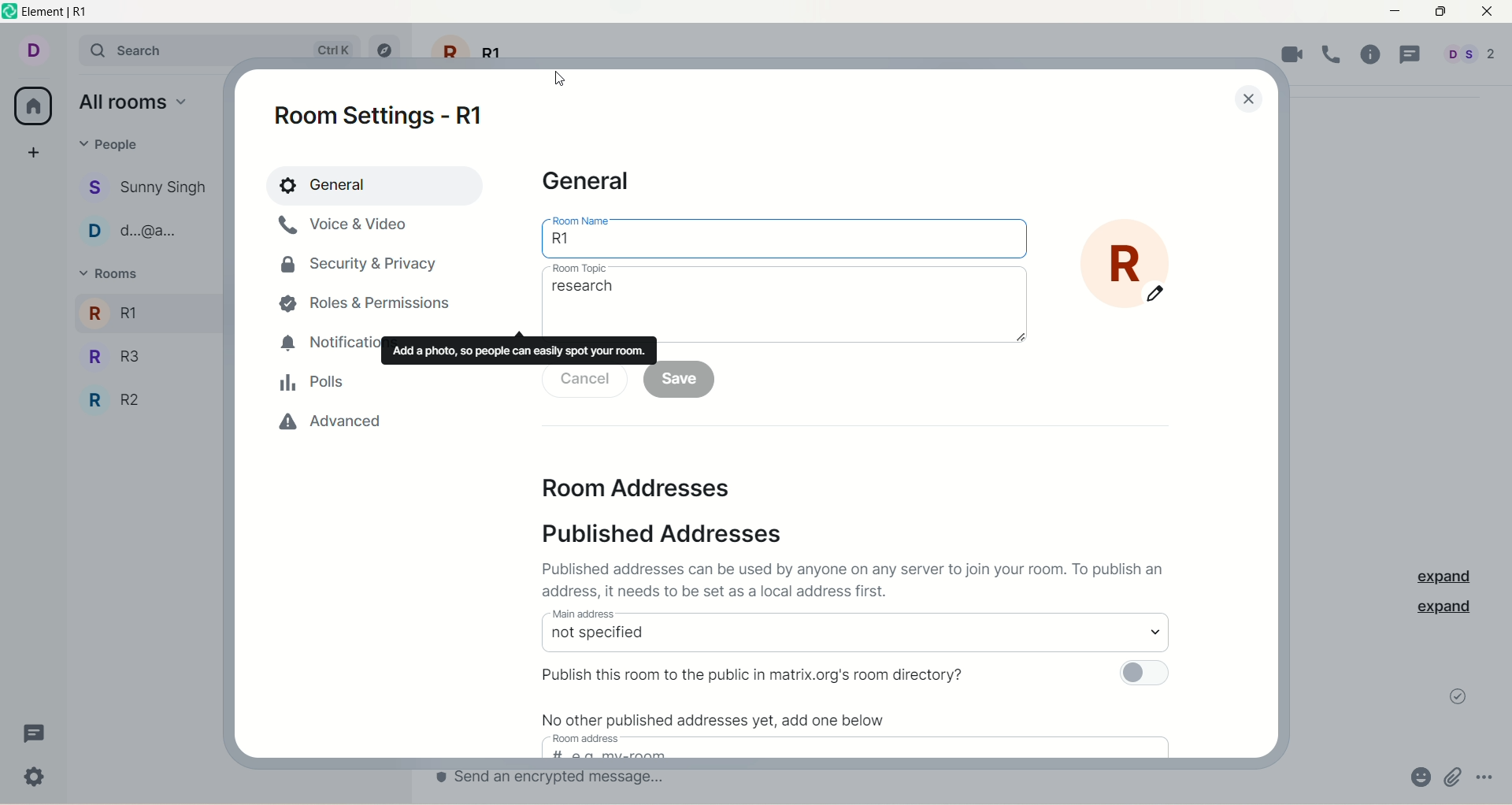 This screenshot has height=805, width=1512. What do you see at coordinates (589, 184) in the screenshot?
I see `general` at bounding box center [589, 184].